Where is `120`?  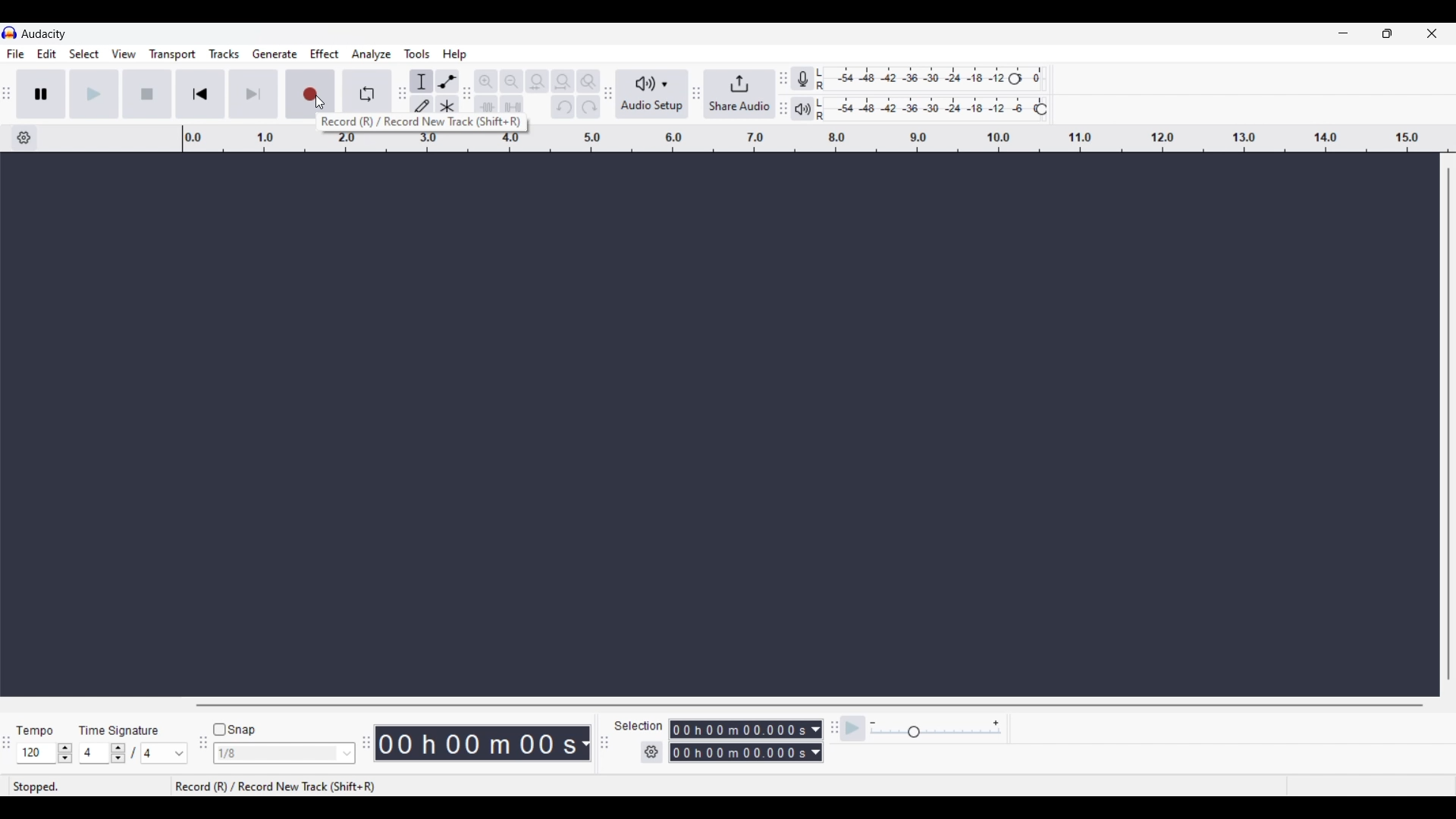 120 is located at coordinates (36, 754).